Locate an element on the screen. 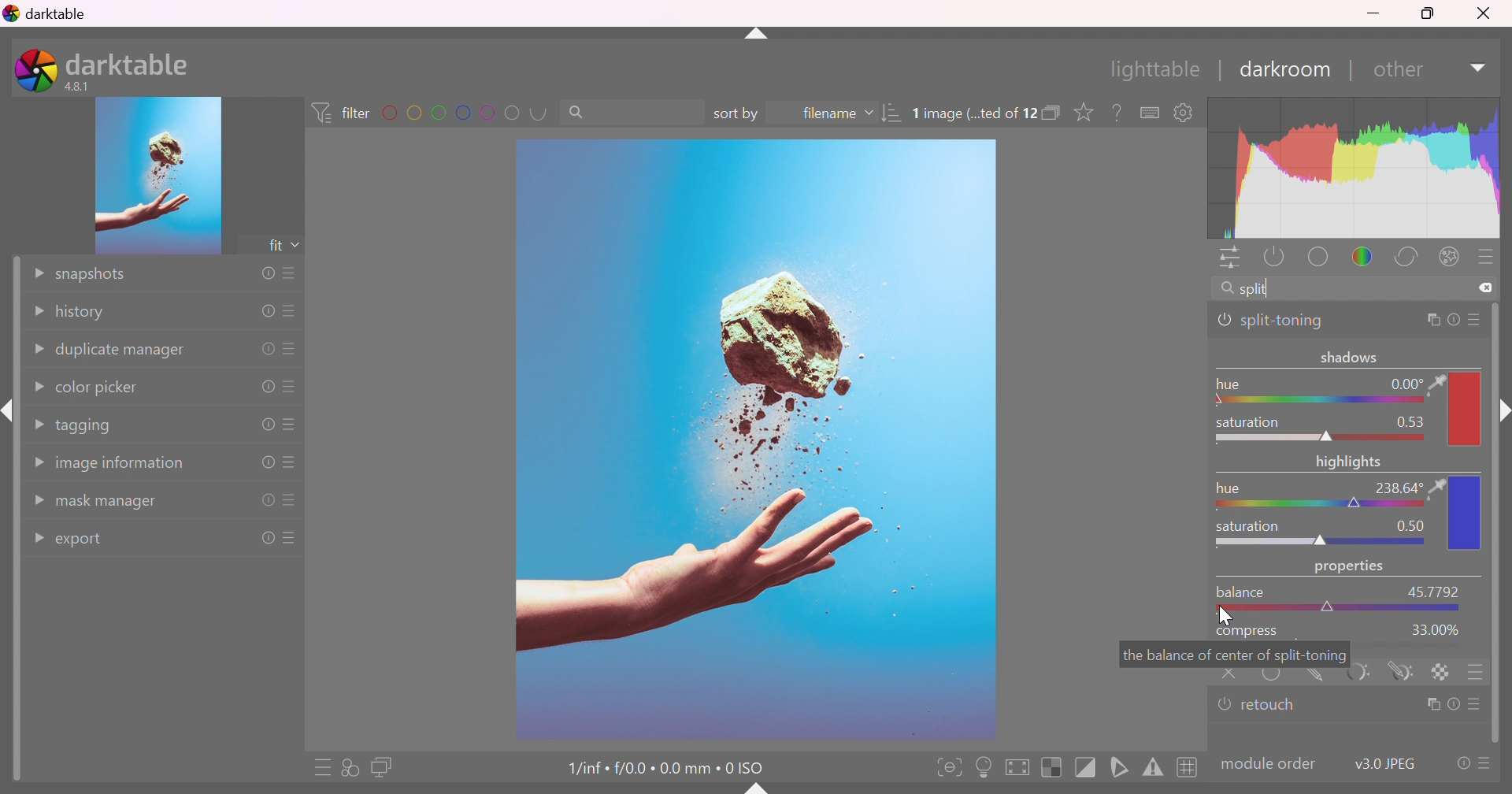 The width and height of the screenshot is (1512, 794). clear is located at coordinates (1485, 287).